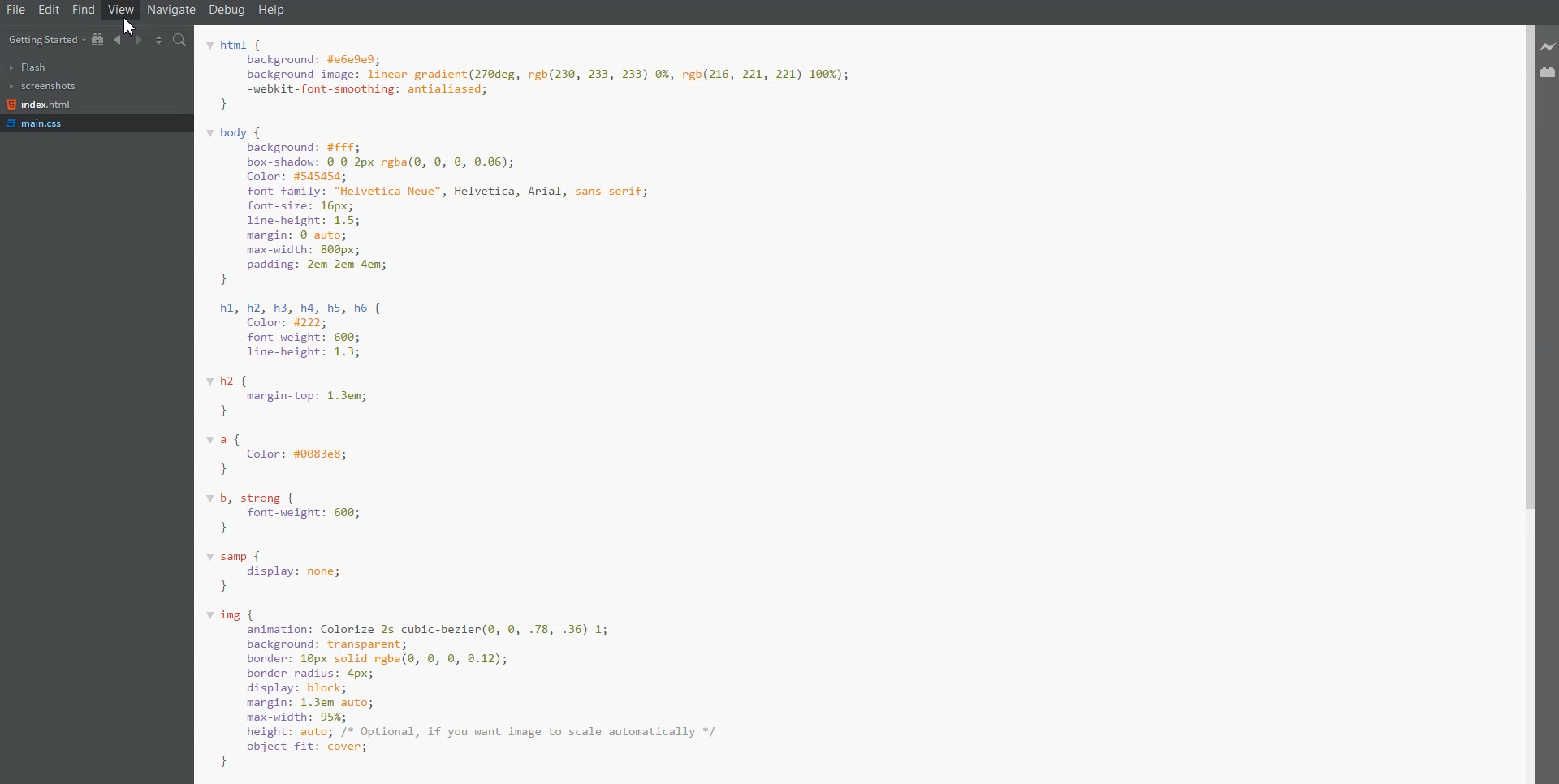 This screenshot has width=1559, height=784. What do you see at coordinates (1524, 404) in the screenshot?
I see `Vertical Scroll bar` at bounding box center [1524, 404].